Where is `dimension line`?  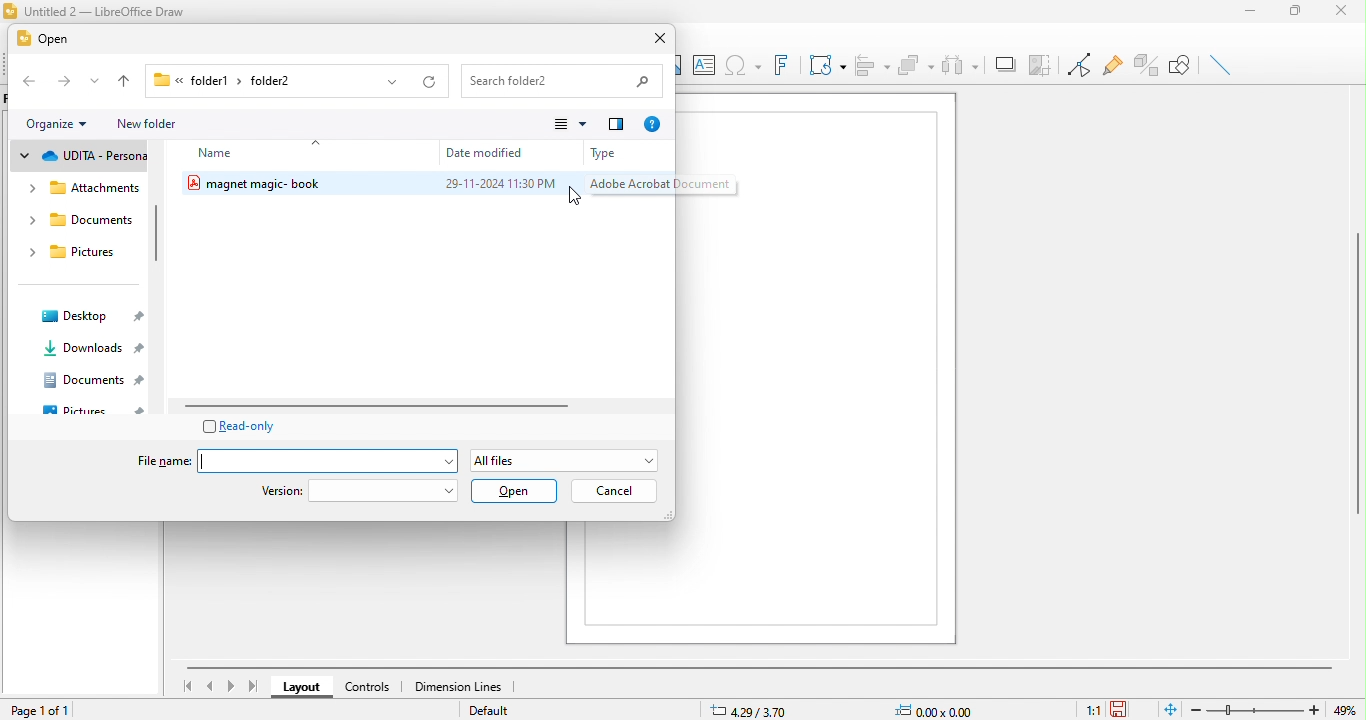 dimension line is located at coordinates (457, 686).